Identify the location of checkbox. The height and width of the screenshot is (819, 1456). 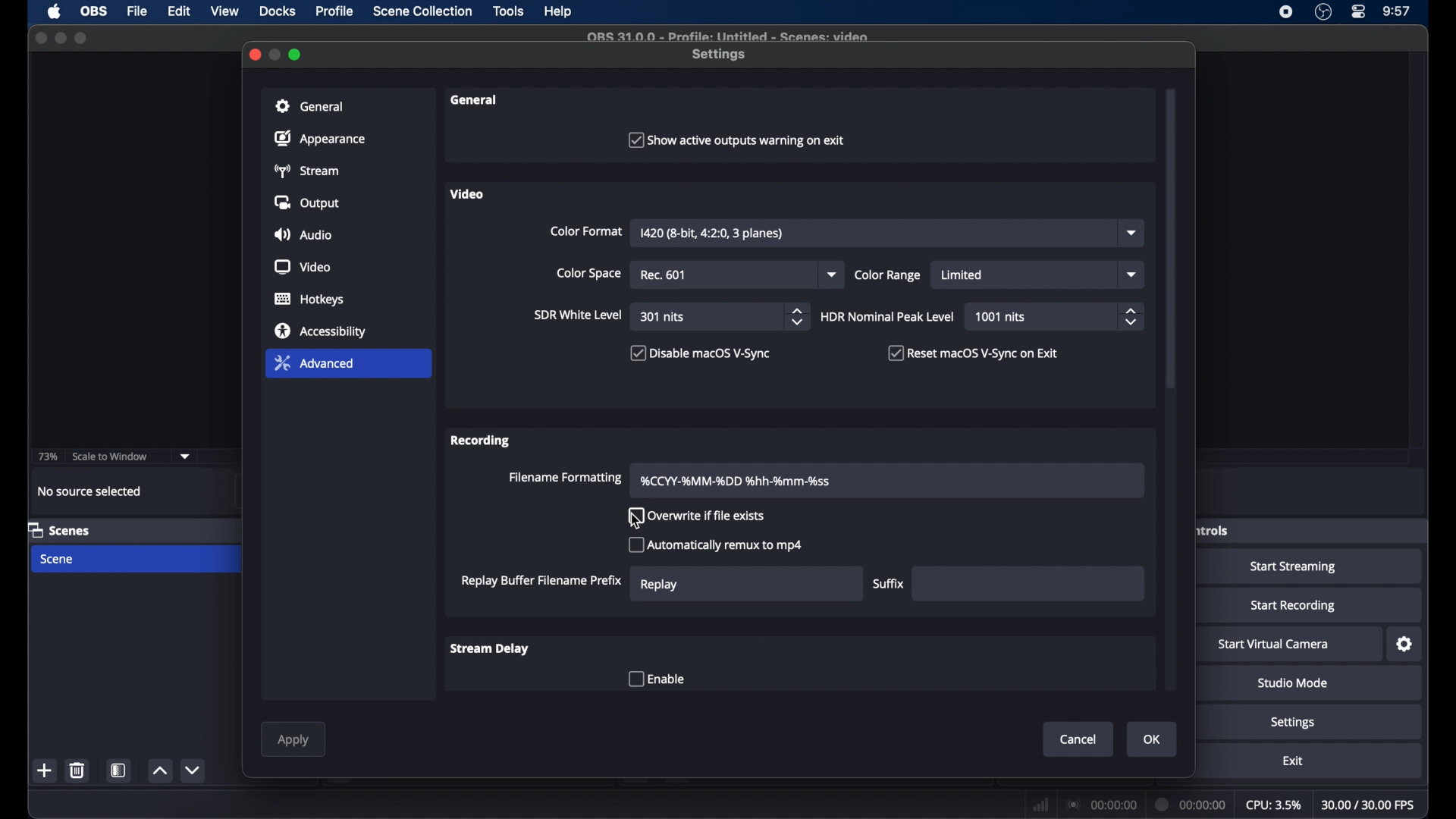
(701, 353).